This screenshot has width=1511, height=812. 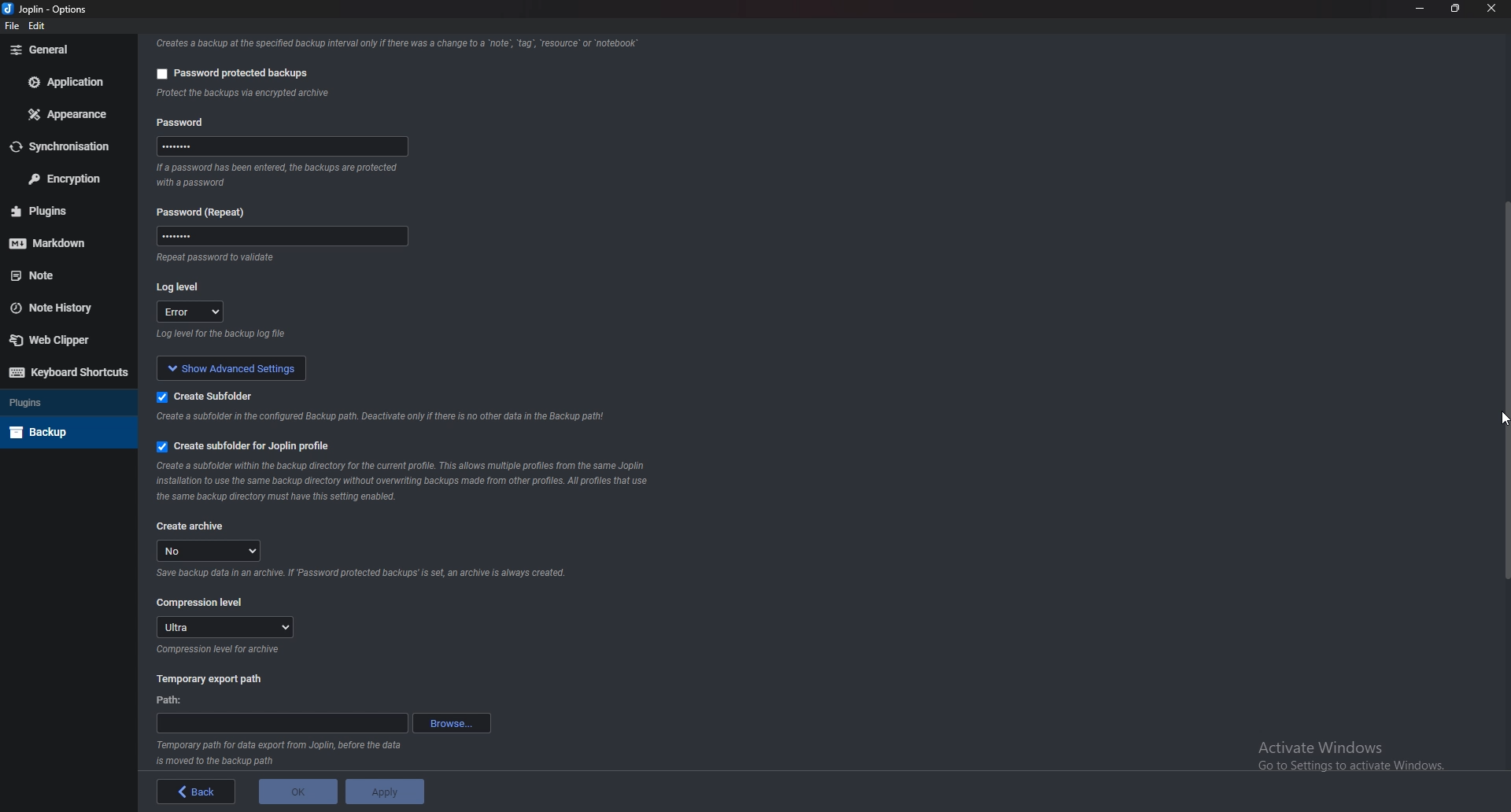 What do you see at coordinates (72, 9) in the screenshot?
I see `options` at bounding box center [72, 9].